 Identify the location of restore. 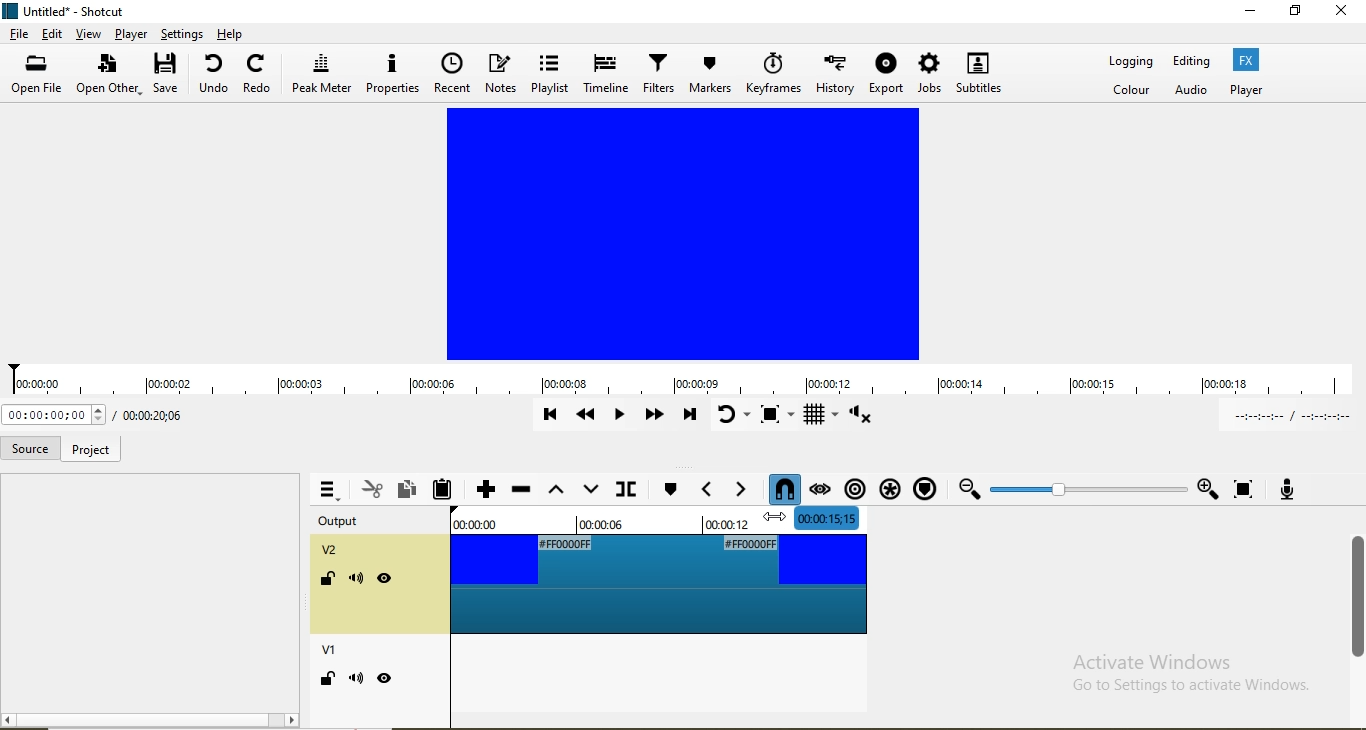
(1297, 13).